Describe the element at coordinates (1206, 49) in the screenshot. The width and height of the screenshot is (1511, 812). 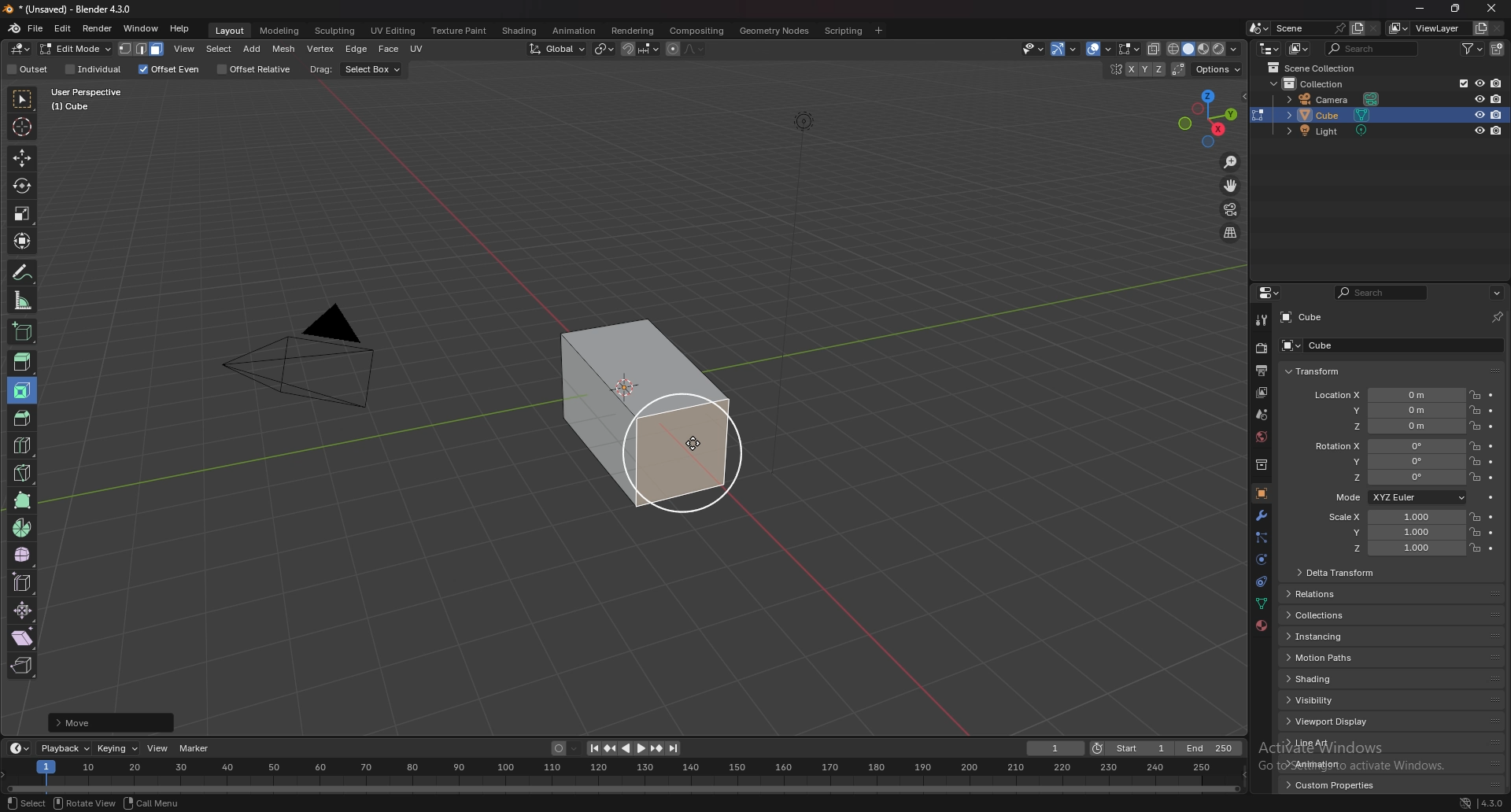
I see `viewport shading` at that location.